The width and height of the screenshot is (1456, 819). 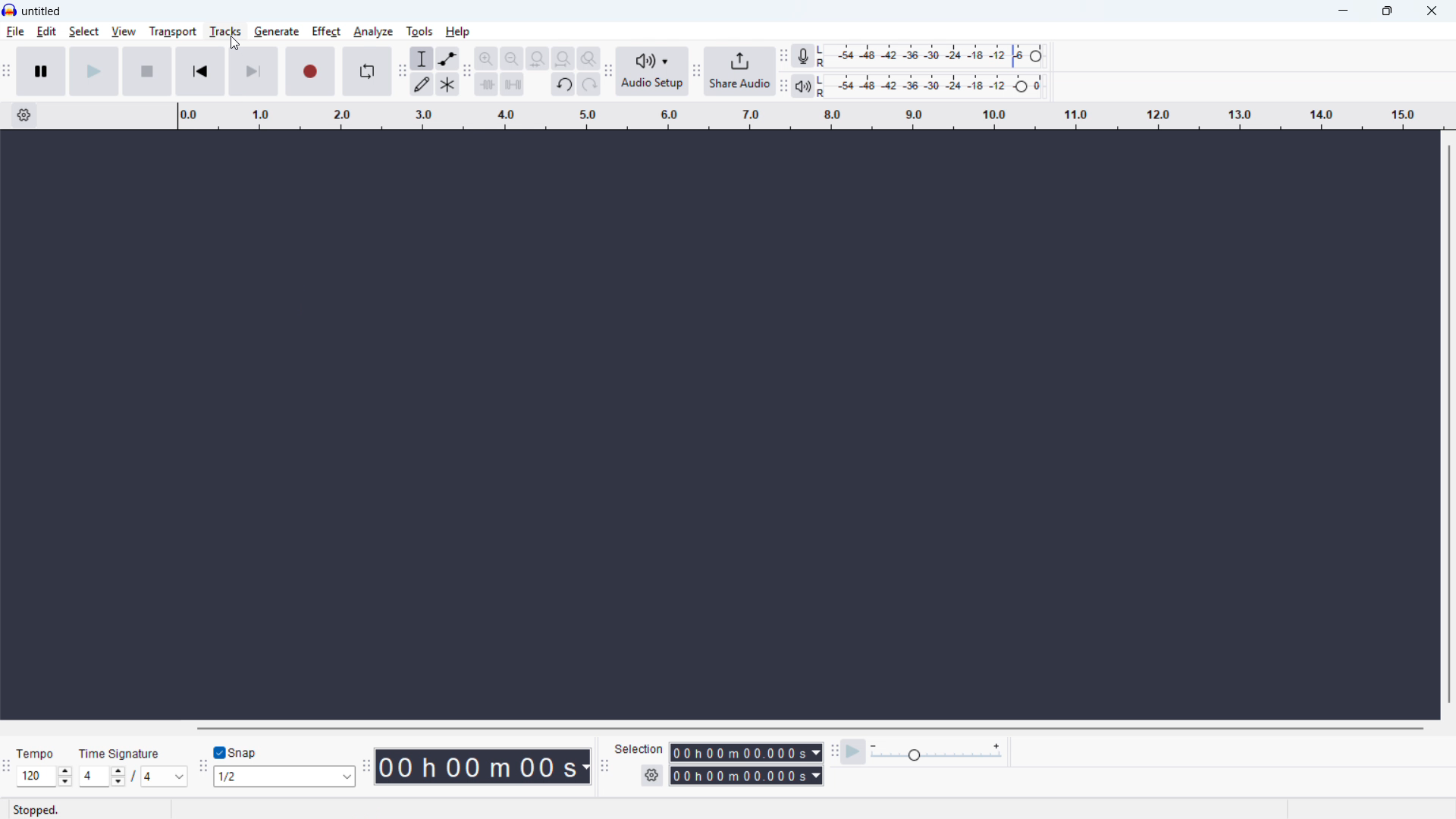 I want to click on time signature, so click(x=120, y=754).